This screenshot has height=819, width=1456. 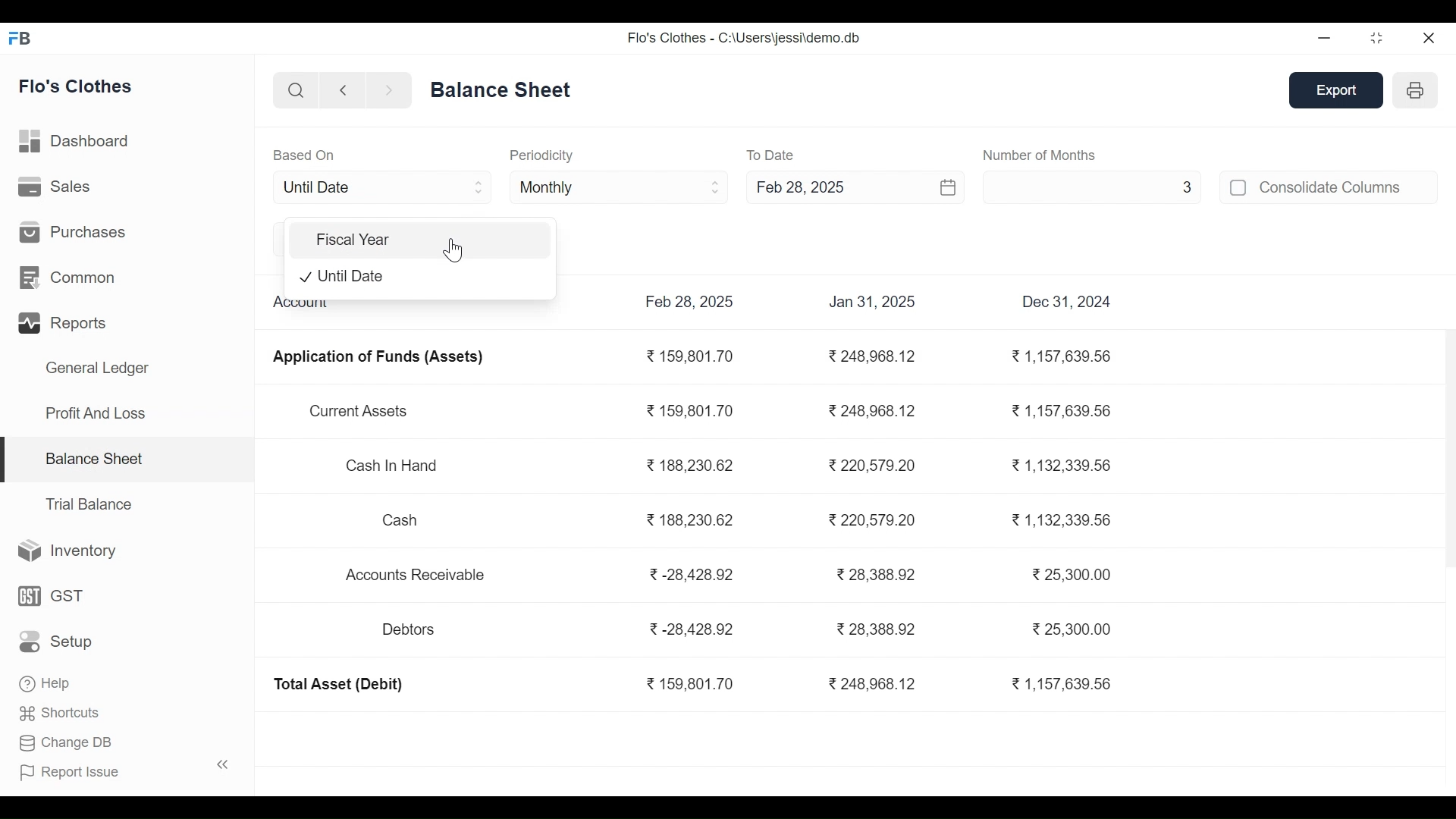 I want to click on help, so click(x=44, y=680).